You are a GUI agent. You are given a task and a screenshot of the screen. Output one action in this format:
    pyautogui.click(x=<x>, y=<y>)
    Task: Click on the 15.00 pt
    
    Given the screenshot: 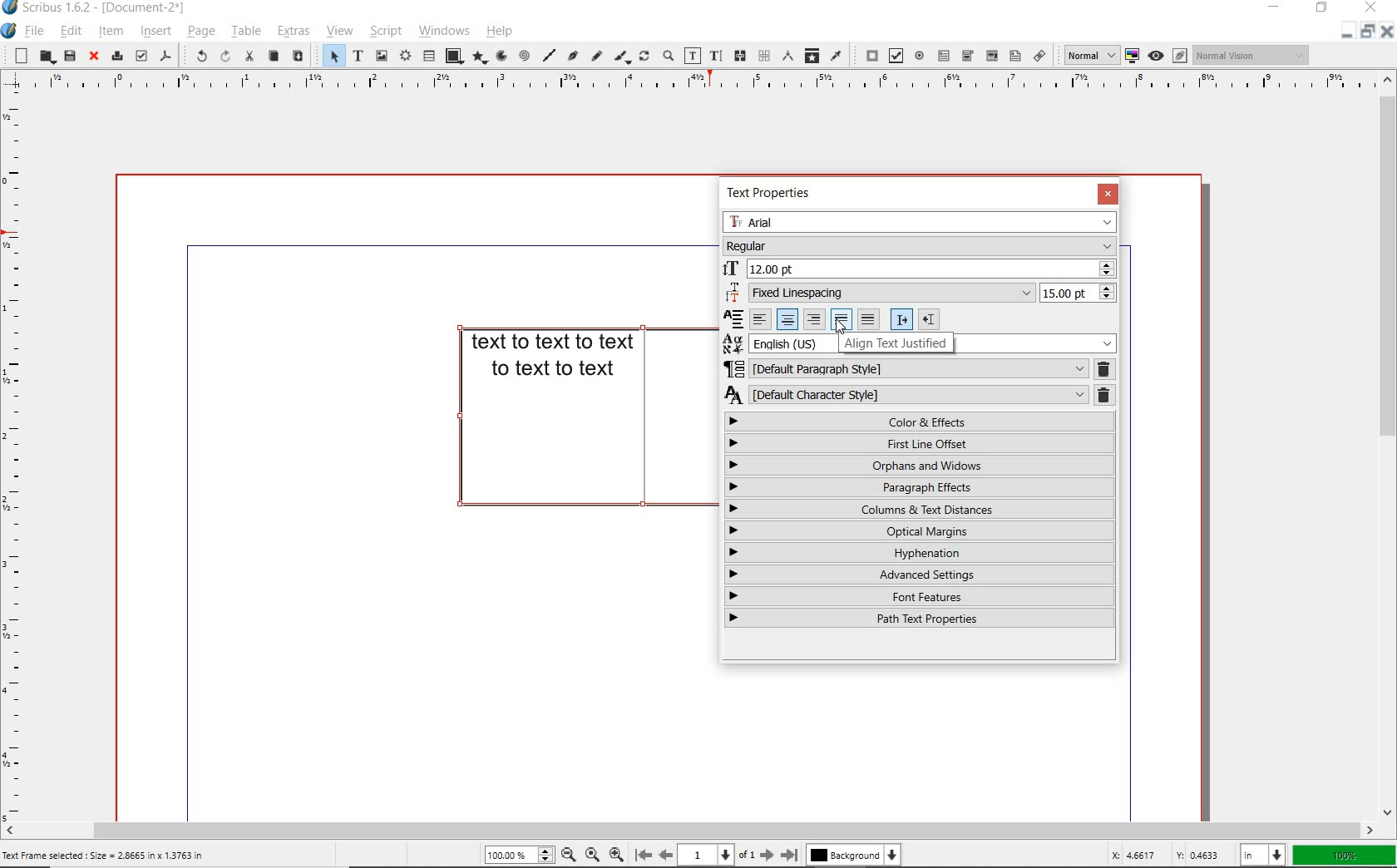 What is the action you would take?
    pyautogui.click(x=1079, y=294)
    